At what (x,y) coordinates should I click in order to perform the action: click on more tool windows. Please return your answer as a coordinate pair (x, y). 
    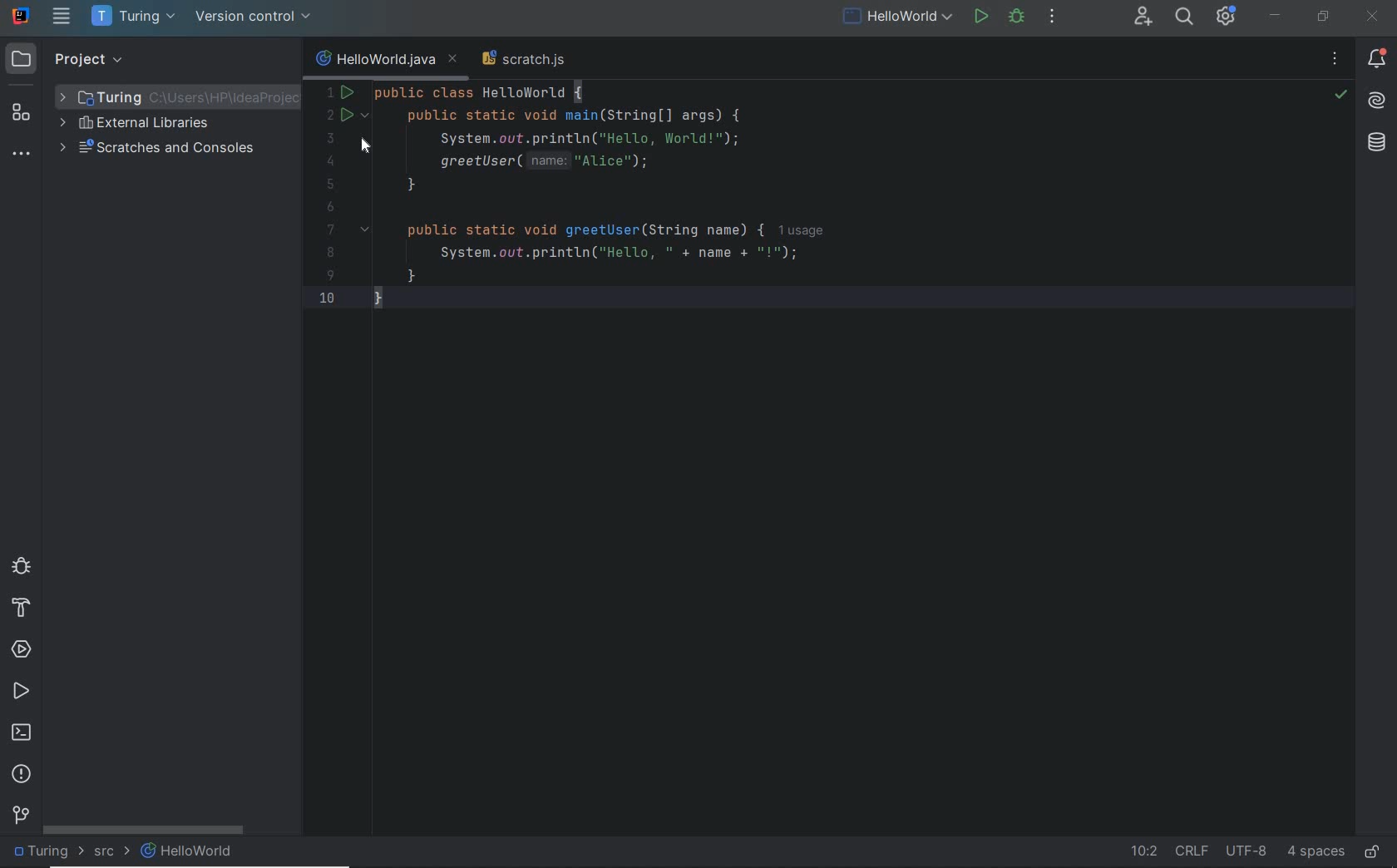
    Looking at the image, I should click on (19, 155).